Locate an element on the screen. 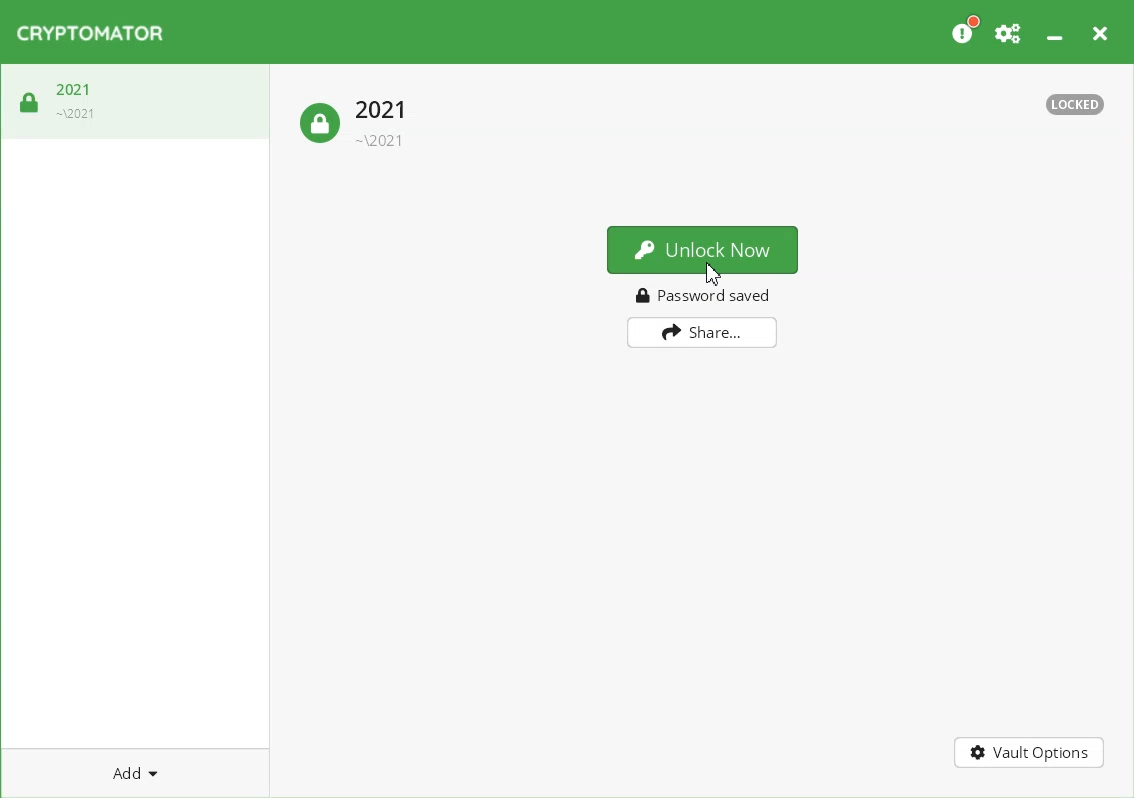 The width and height of the screenshot is (1134, 798). Logo is located at coordinates (89, 31).